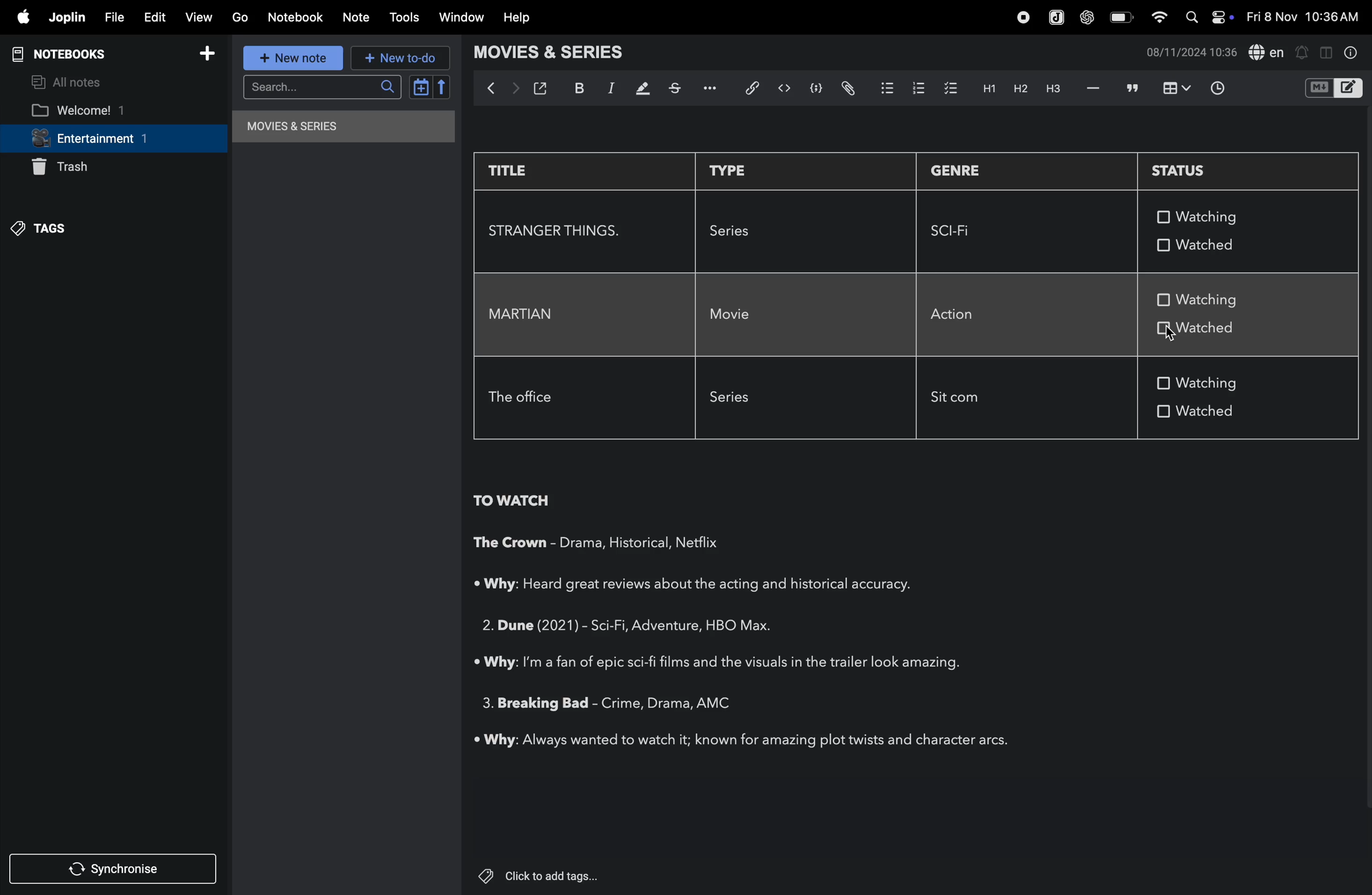 The height and width of the screenshot is (895, 1372). Describe the element at coordinates (986, 88) in the screenshot. I see `heading 1` at that location.